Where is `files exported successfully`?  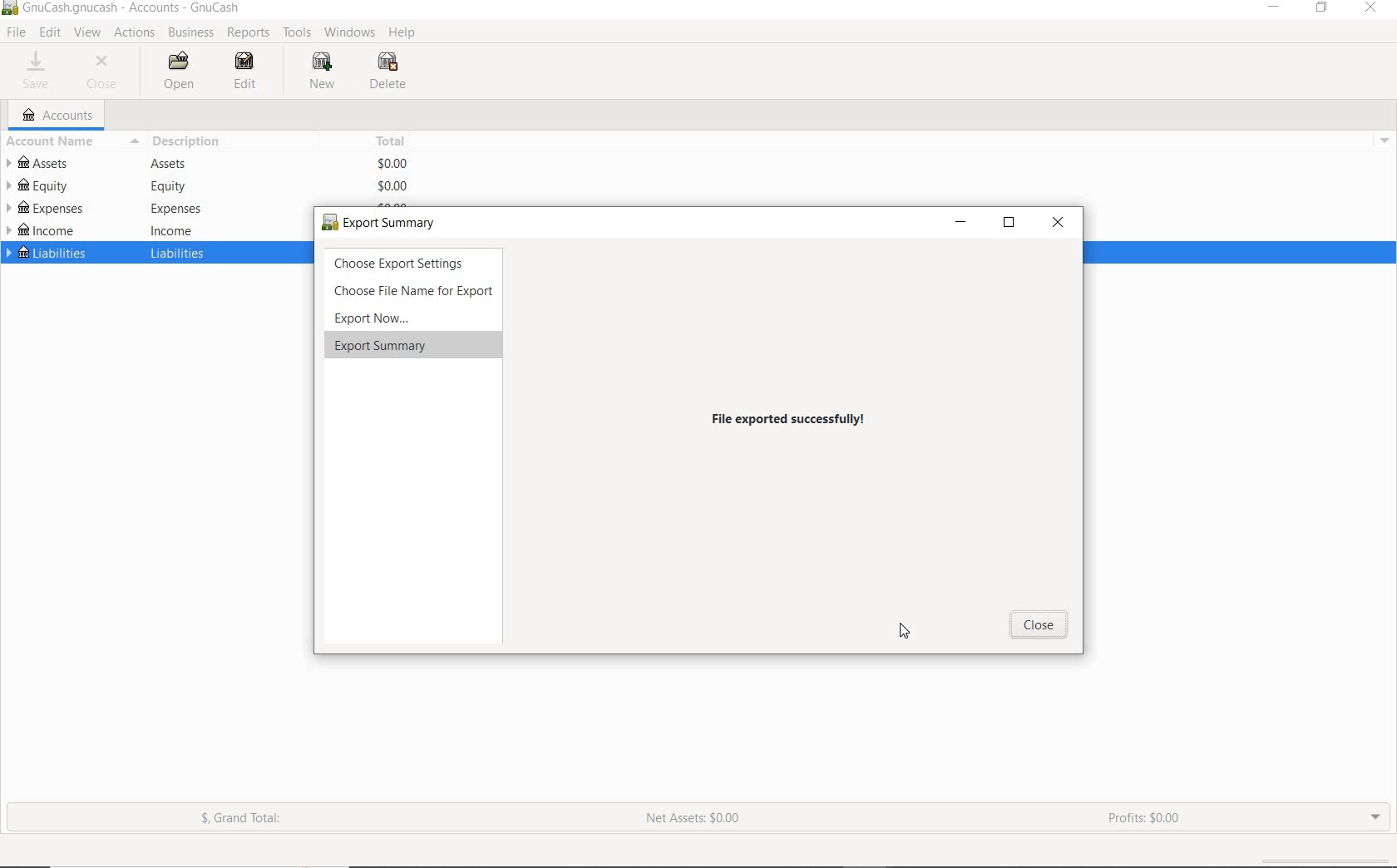 files exported successfully is located at coordinates (790, 419).